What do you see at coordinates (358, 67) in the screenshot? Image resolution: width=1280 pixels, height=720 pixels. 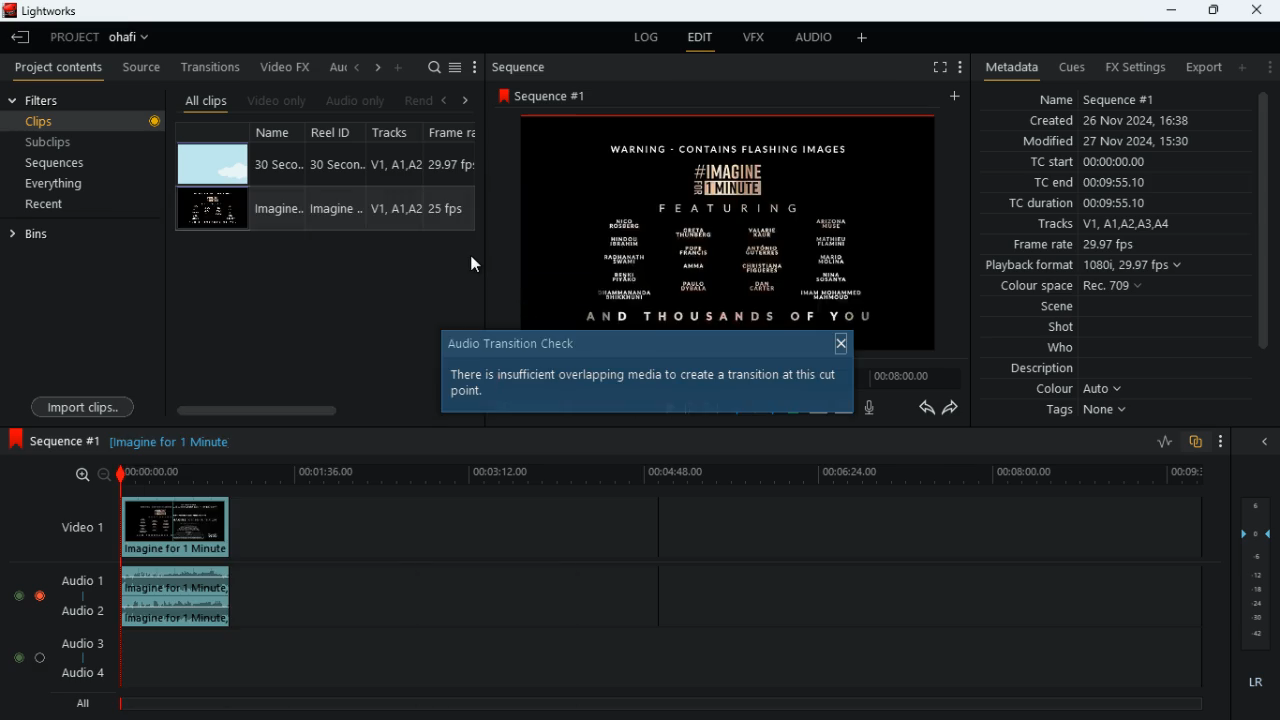 I see `left` at bounding box center [358, 67].